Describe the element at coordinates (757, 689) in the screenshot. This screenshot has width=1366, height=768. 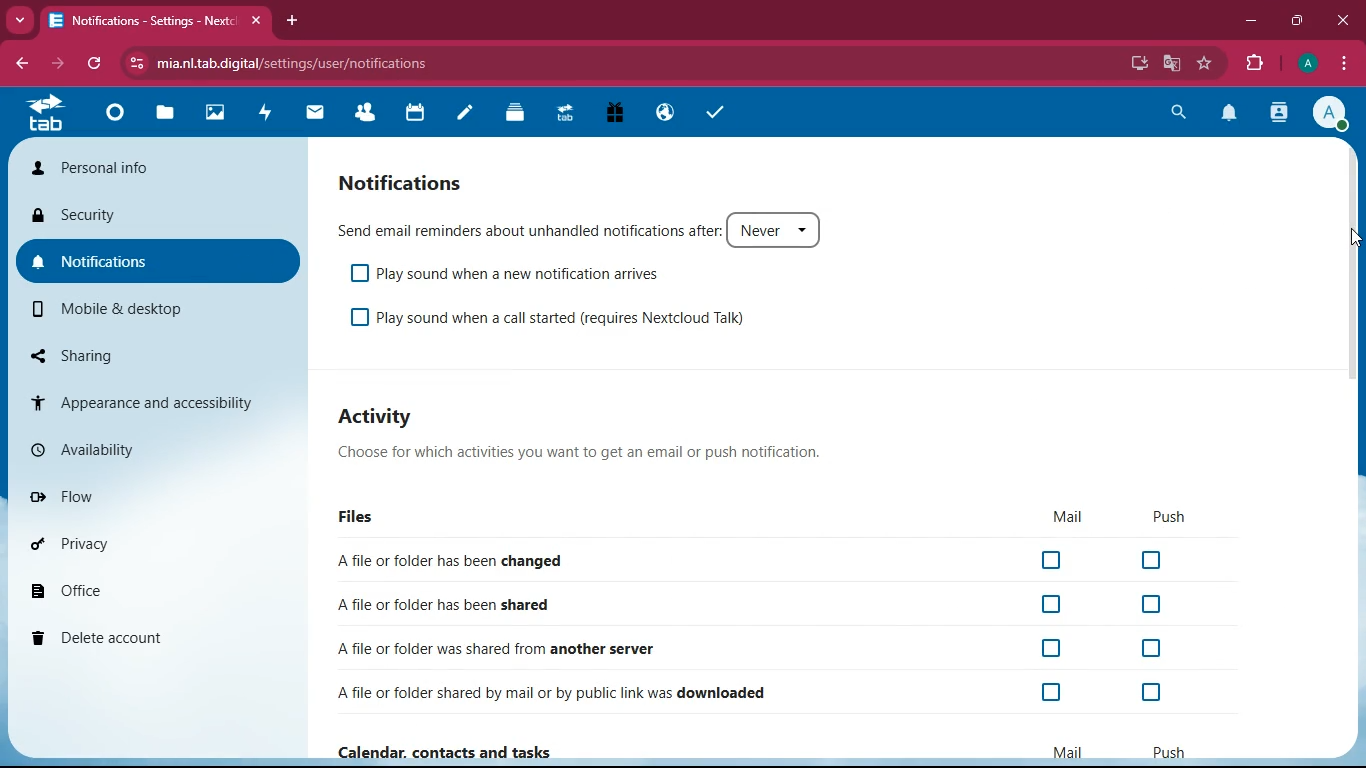
I see `A file or folder shared by mail or by public link was downloaded` at that location.